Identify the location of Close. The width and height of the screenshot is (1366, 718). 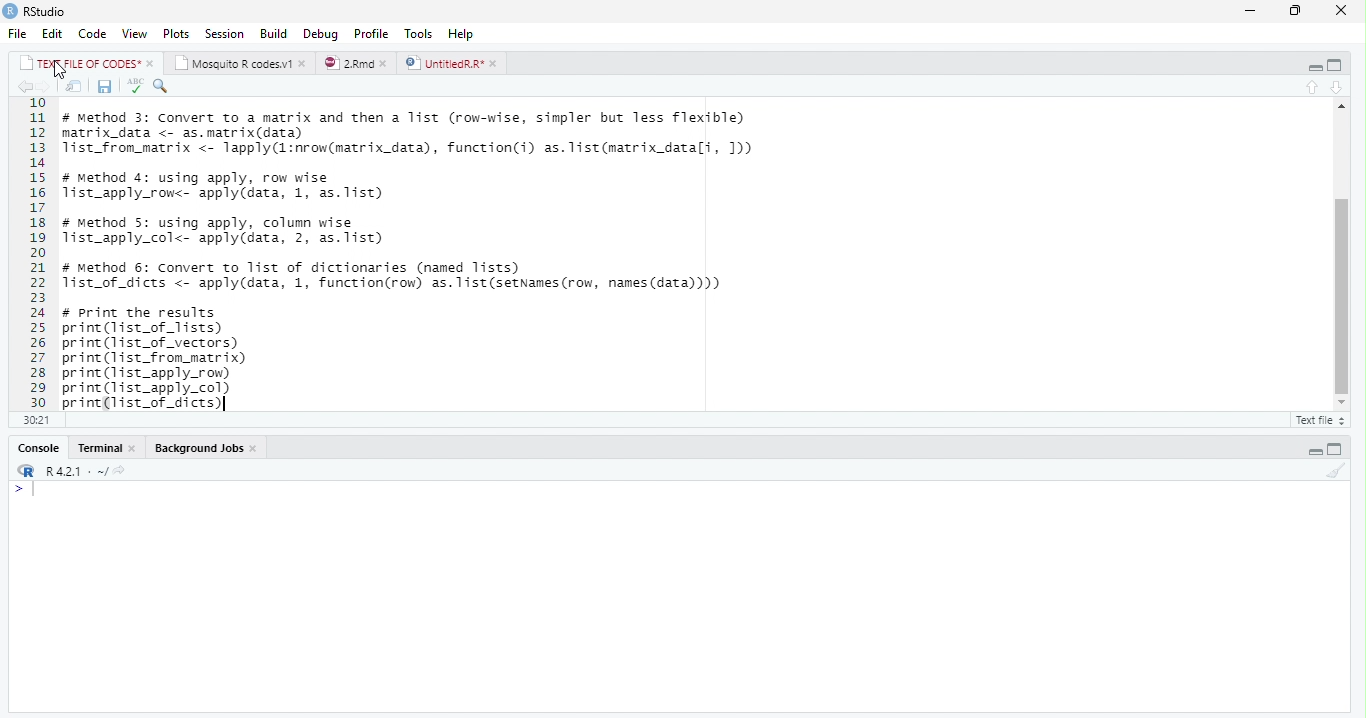
(1342, 10).